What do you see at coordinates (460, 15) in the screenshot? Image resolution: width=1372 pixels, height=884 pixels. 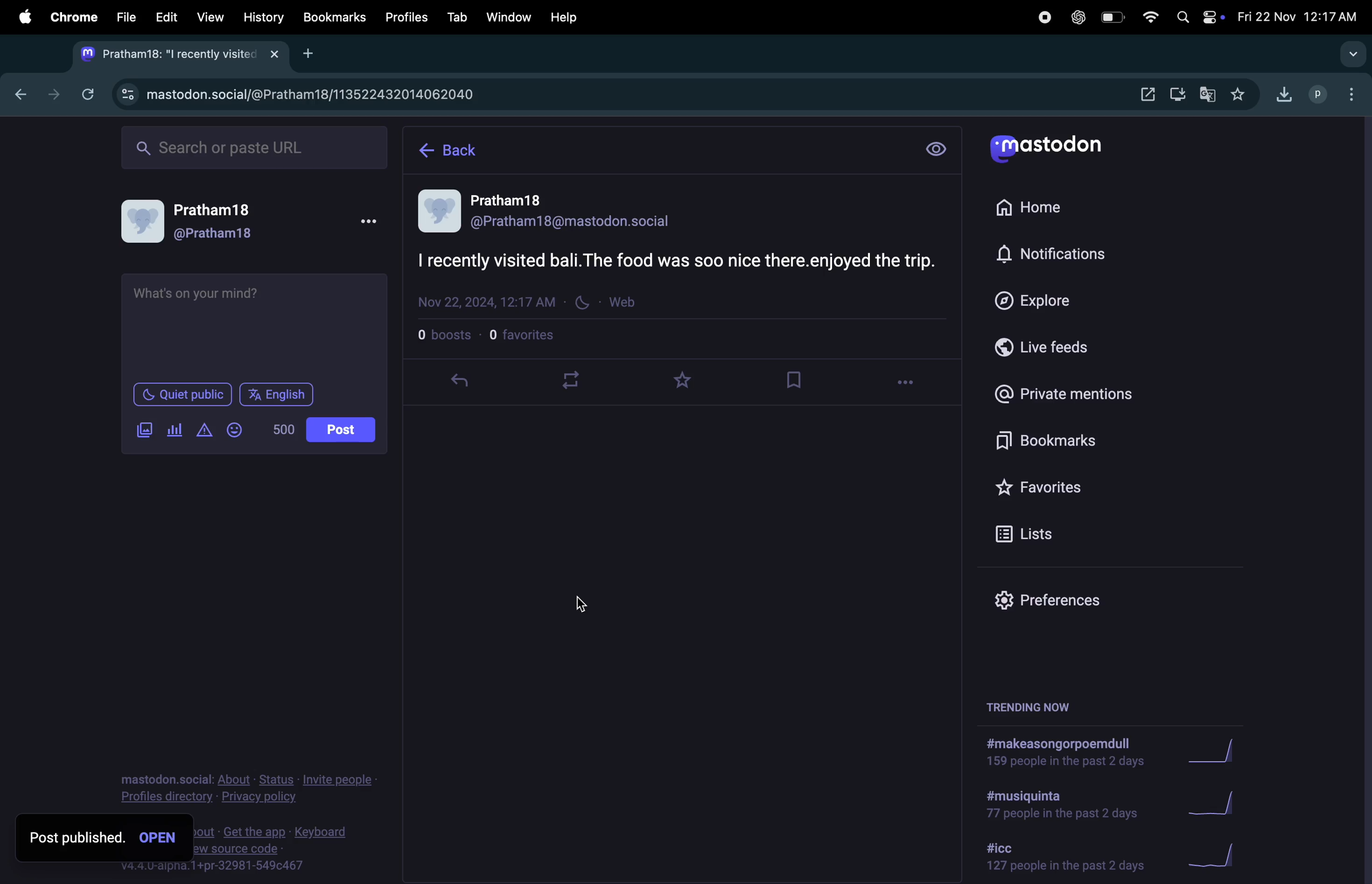 I see `tab` at bounding box center [460, 15].